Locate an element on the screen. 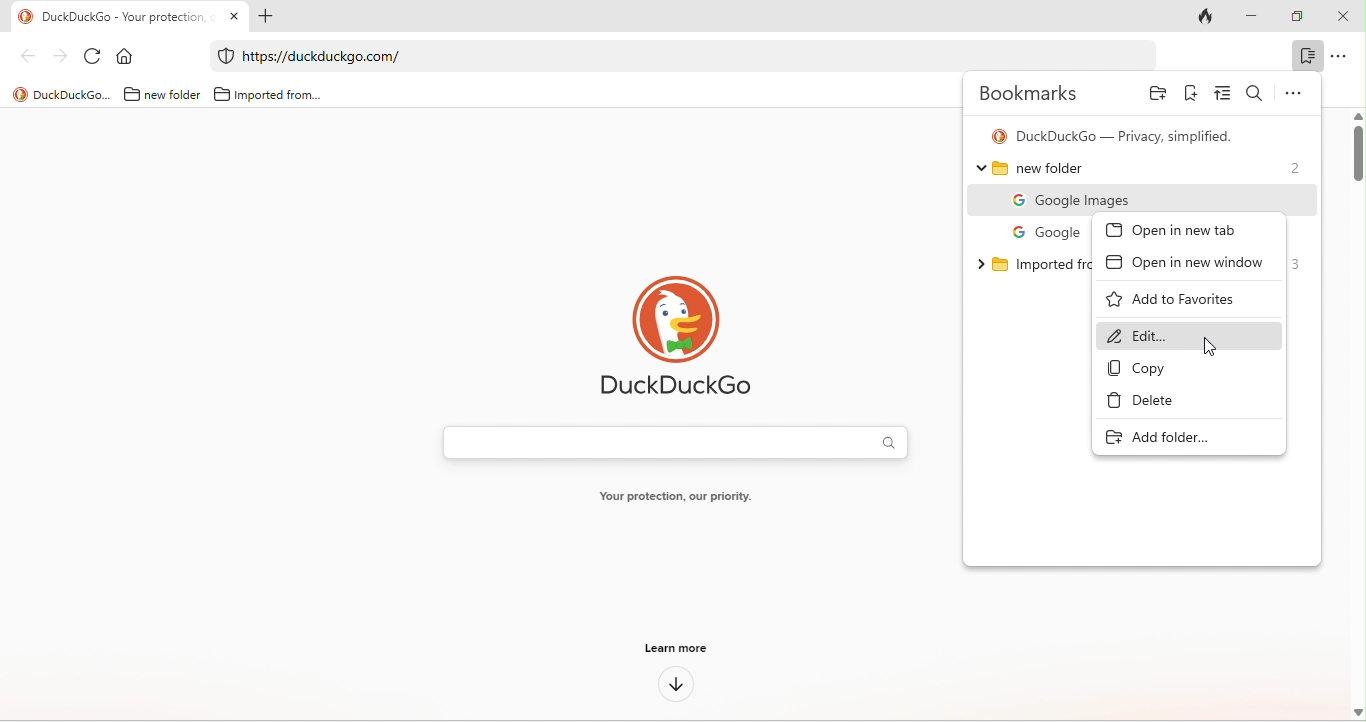  google is located at coordinates (1039, 231).